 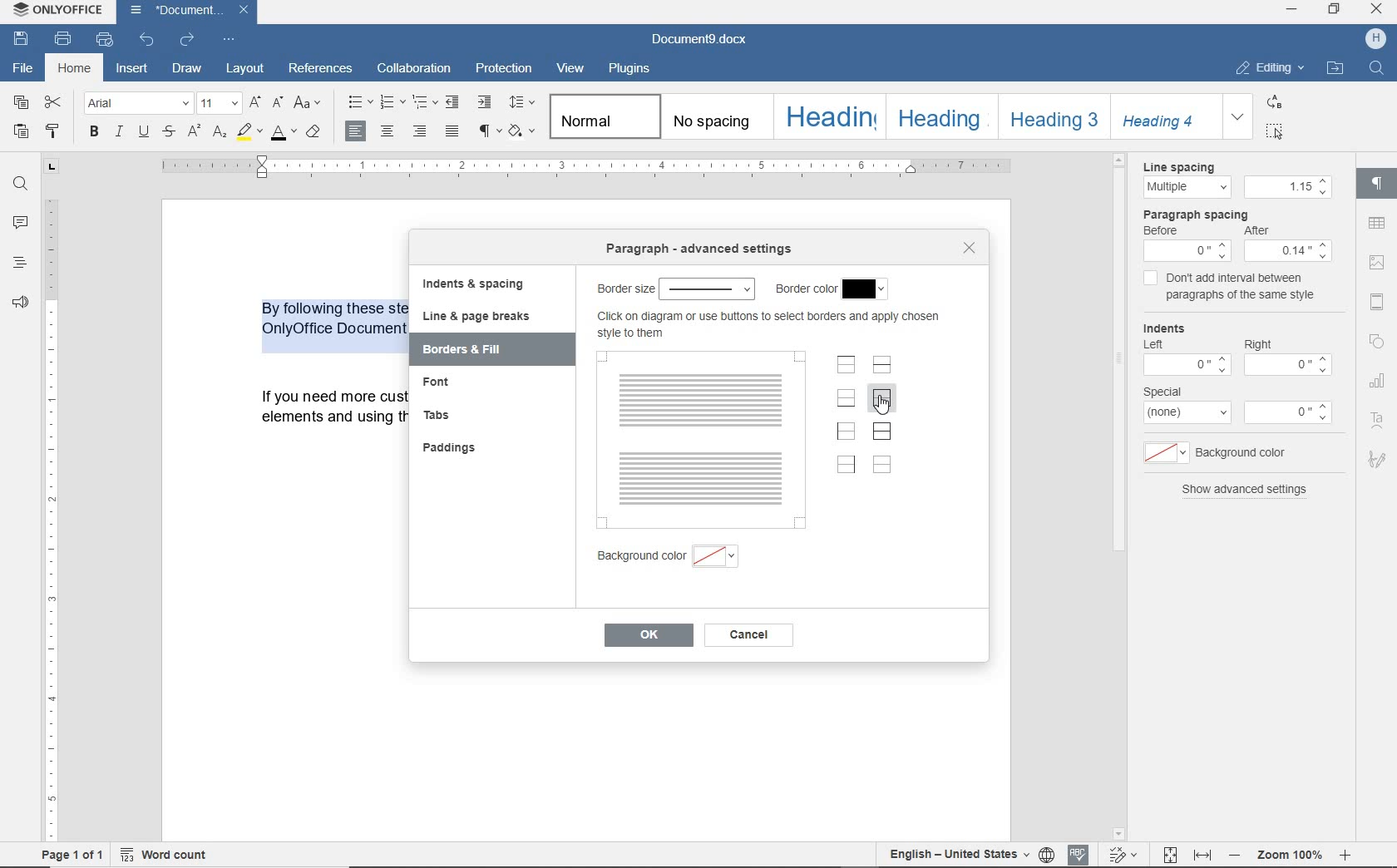 I want to click on borders & fill, so click(x=474, y=350).